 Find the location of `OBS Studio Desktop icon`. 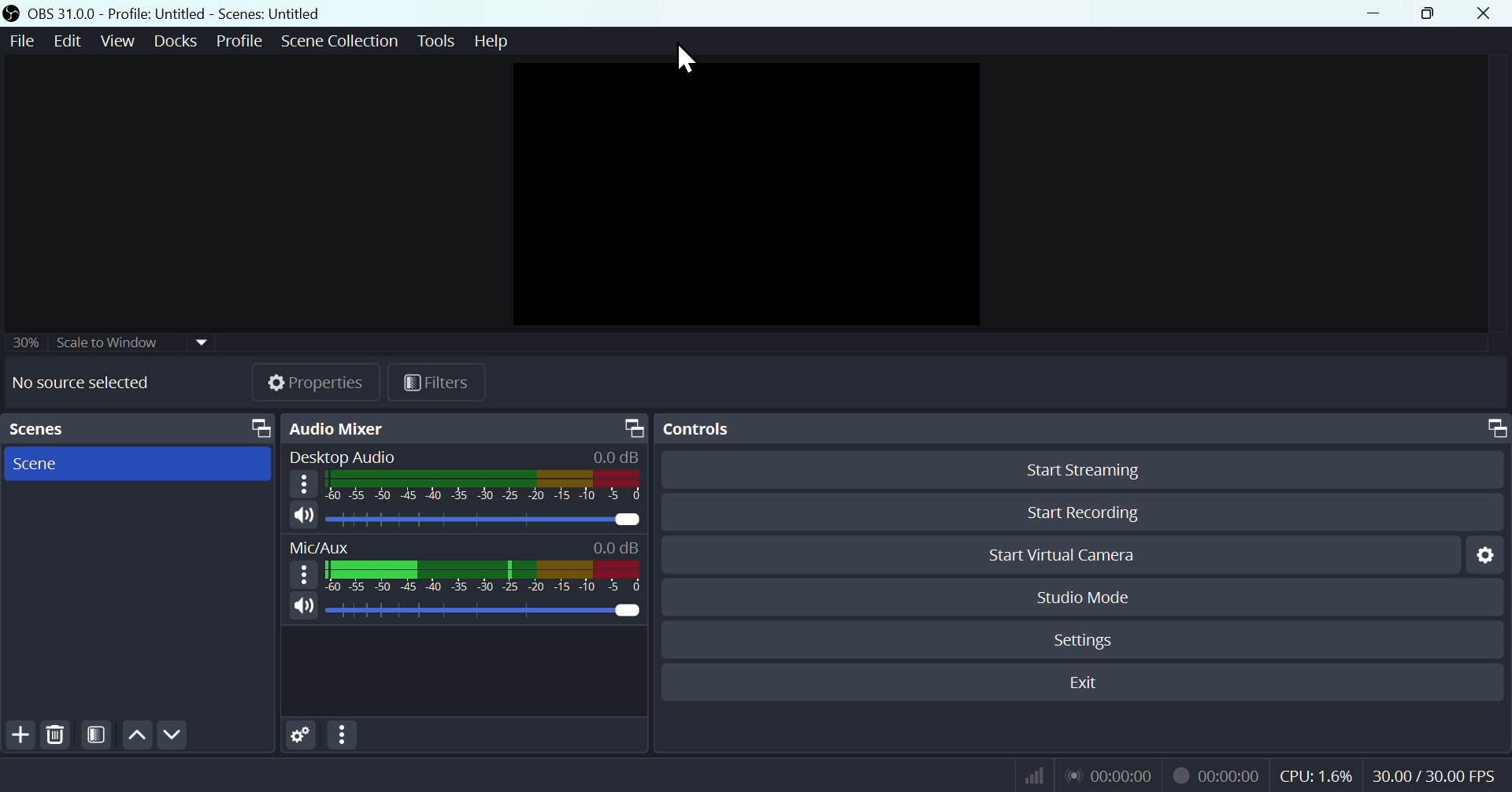

OBS Studio Desktop icon is located at coordinates (10, 13).